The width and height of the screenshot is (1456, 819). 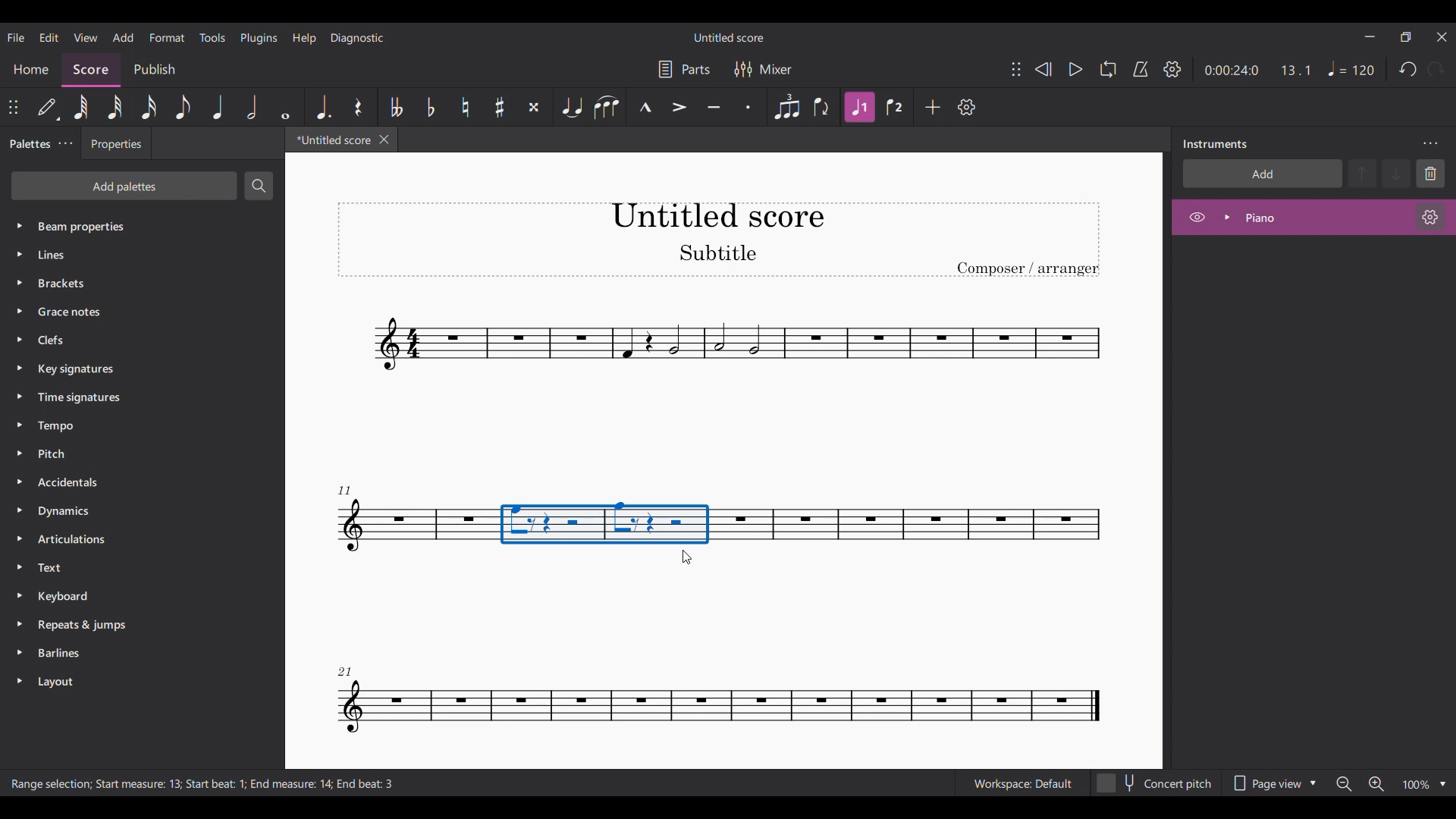 I want to click on Staccato, so click(x=748, y=107).